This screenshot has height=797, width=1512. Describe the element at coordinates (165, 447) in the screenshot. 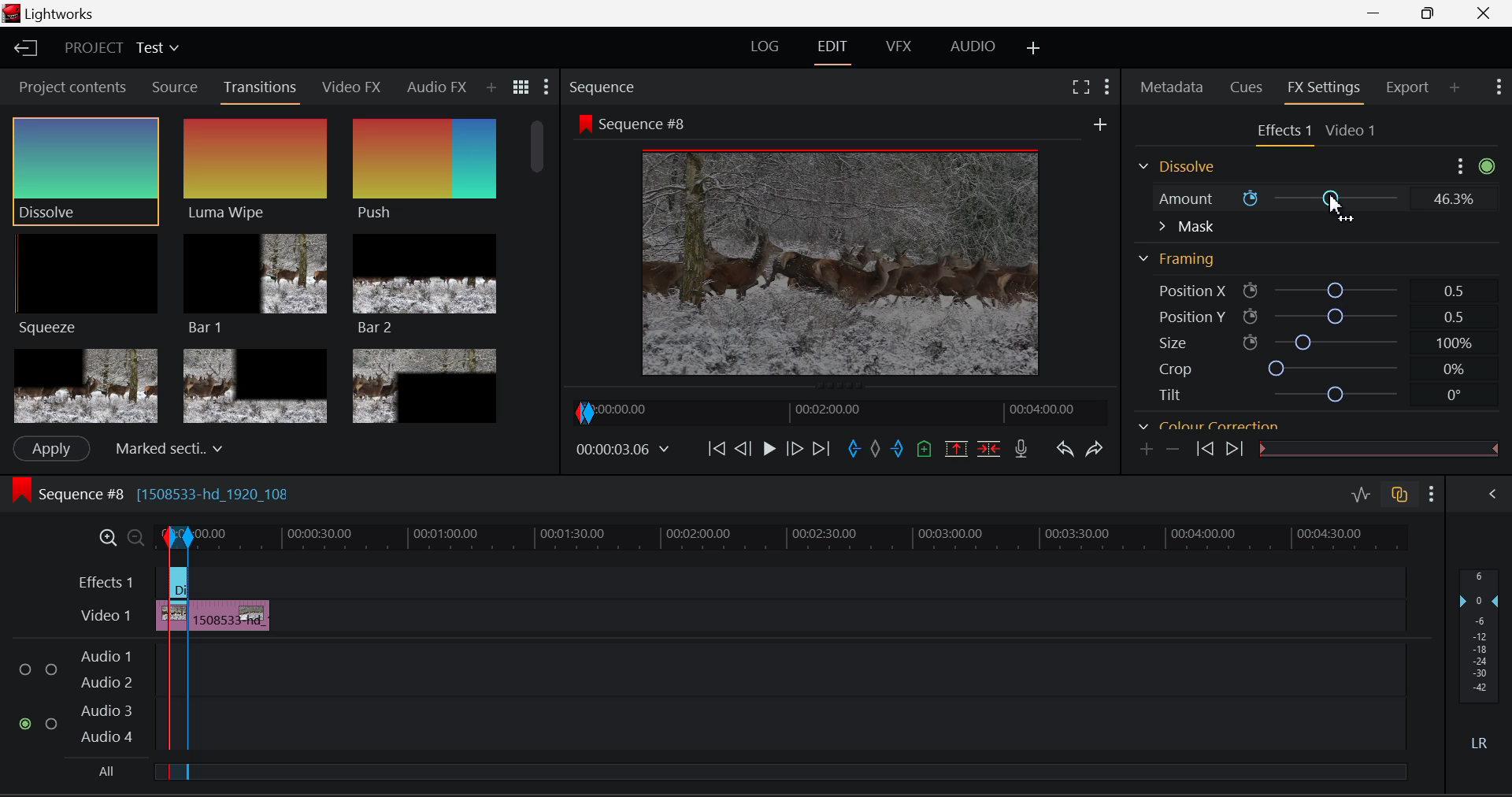

I see `Centered here` at that location.